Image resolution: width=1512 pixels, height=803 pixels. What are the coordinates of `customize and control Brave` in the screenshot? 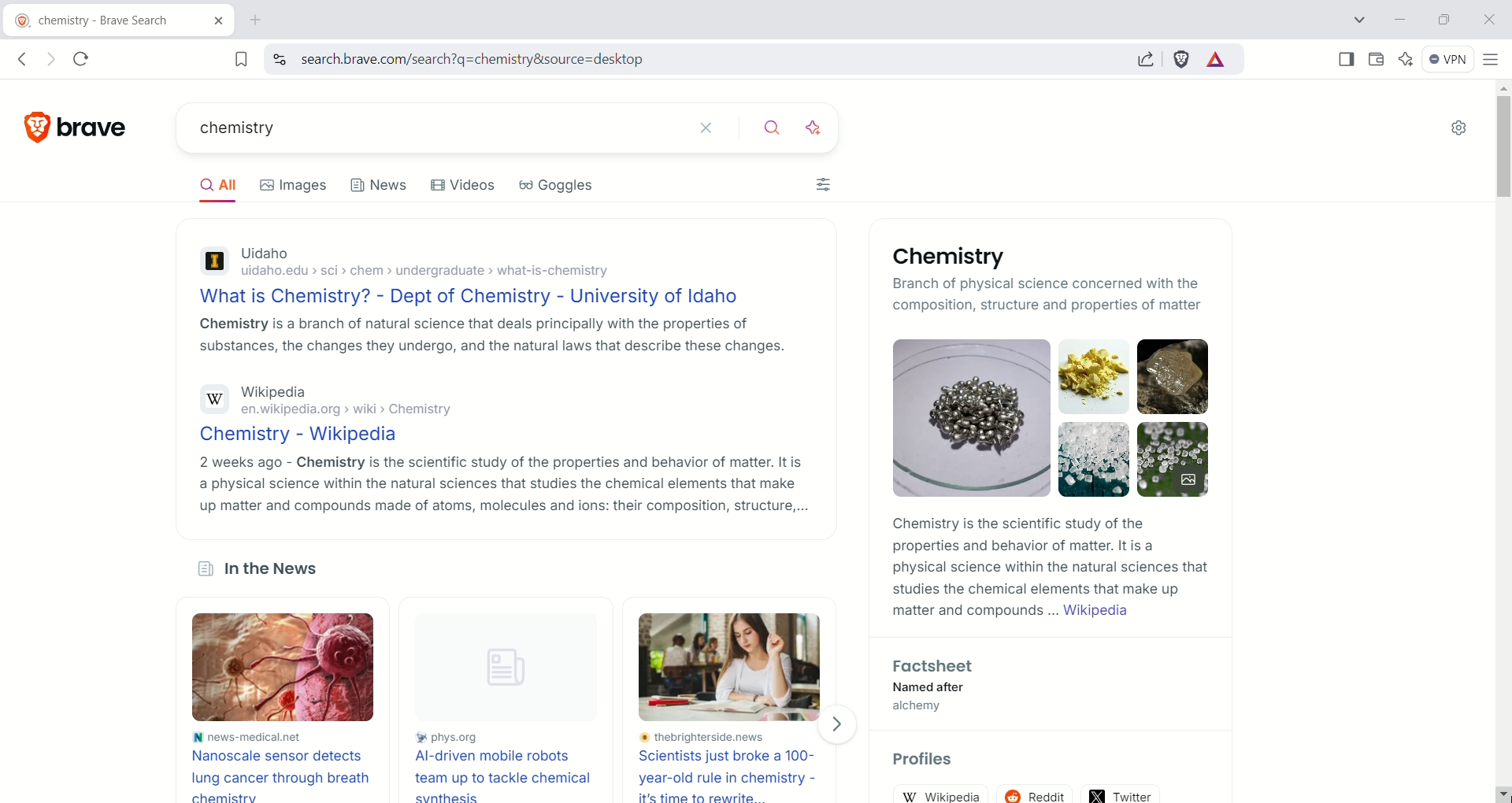 It's located at (1492, 58).